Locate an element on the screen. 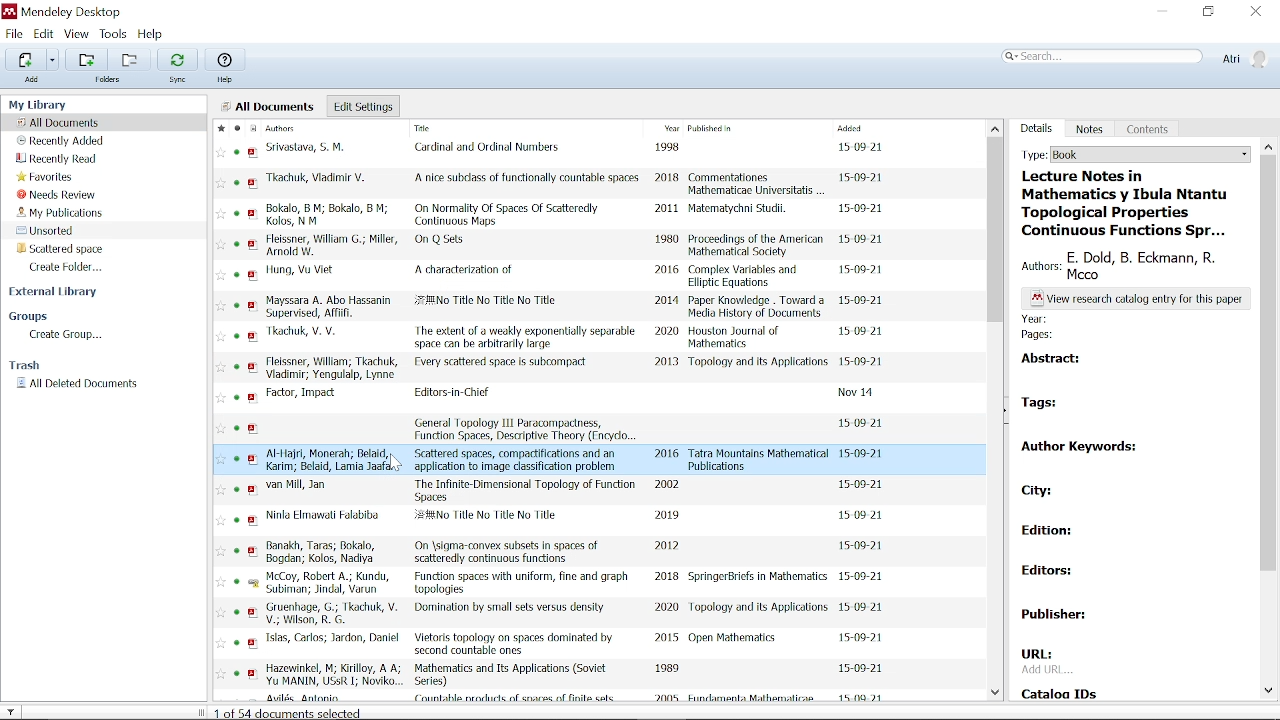  favorites is located at coordinates (46, 178).